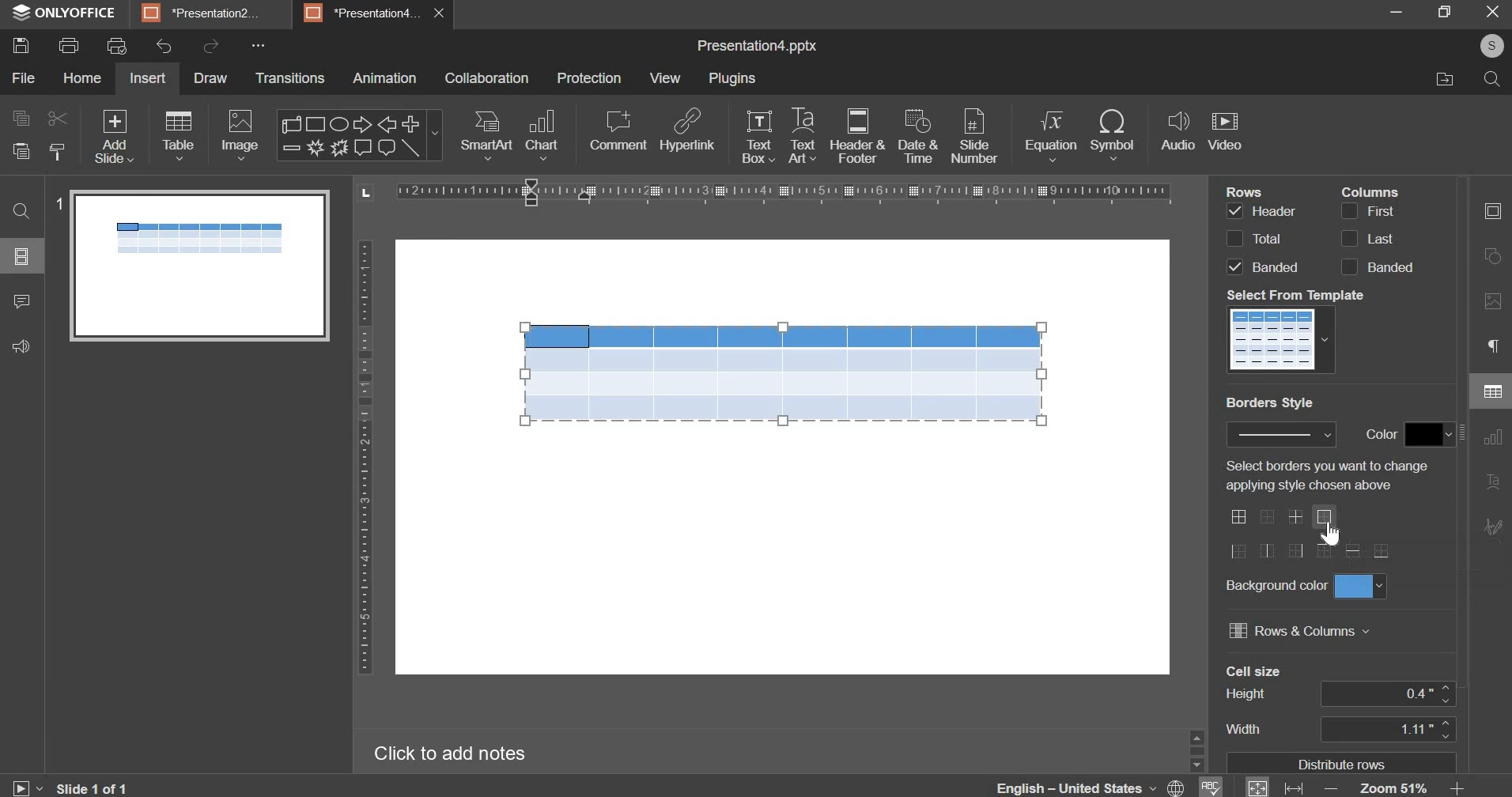 This screenshot has width=1512, height=797. Describe the element at coordinates (487, 78) in the screenshot. I see `collaboration` at that location.